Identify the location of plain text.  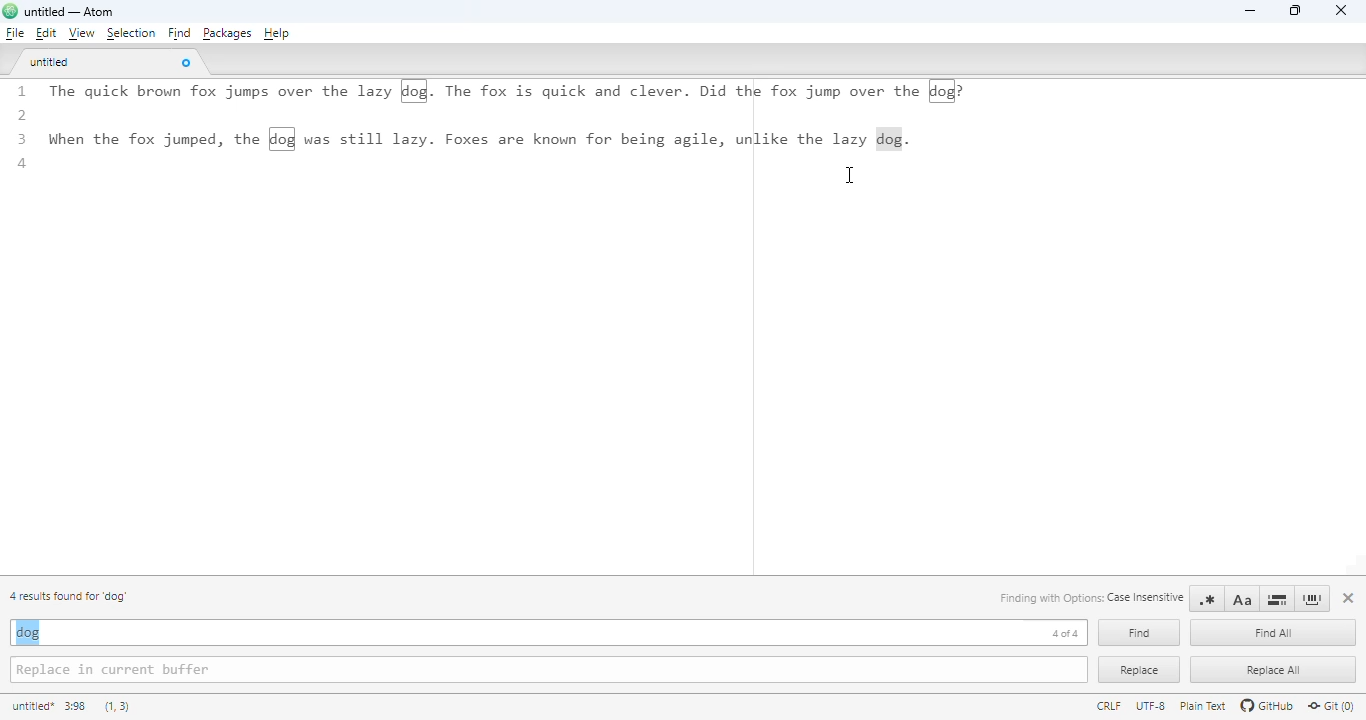
(1204, 706).